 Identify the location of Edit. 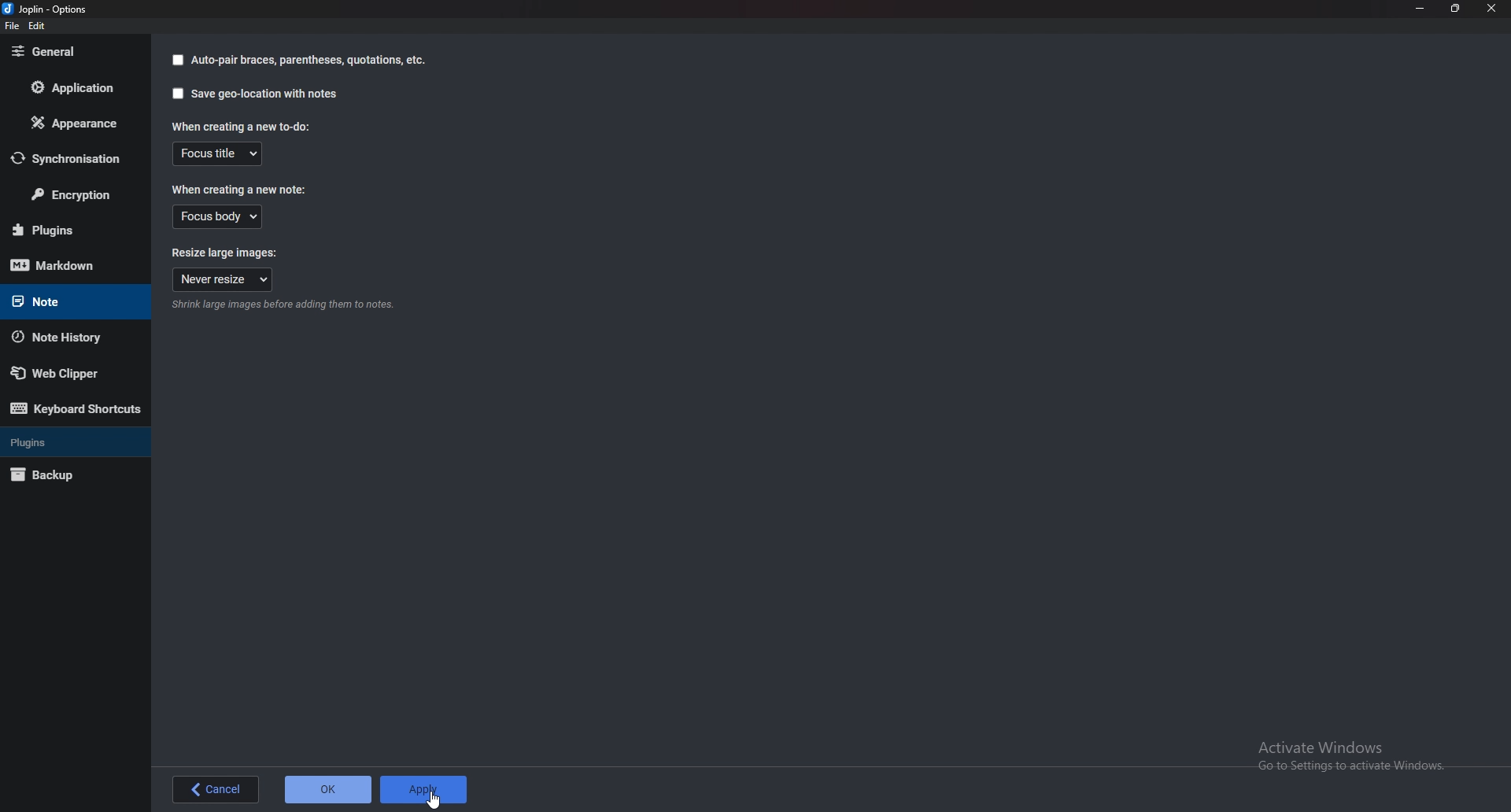
(38, 27).